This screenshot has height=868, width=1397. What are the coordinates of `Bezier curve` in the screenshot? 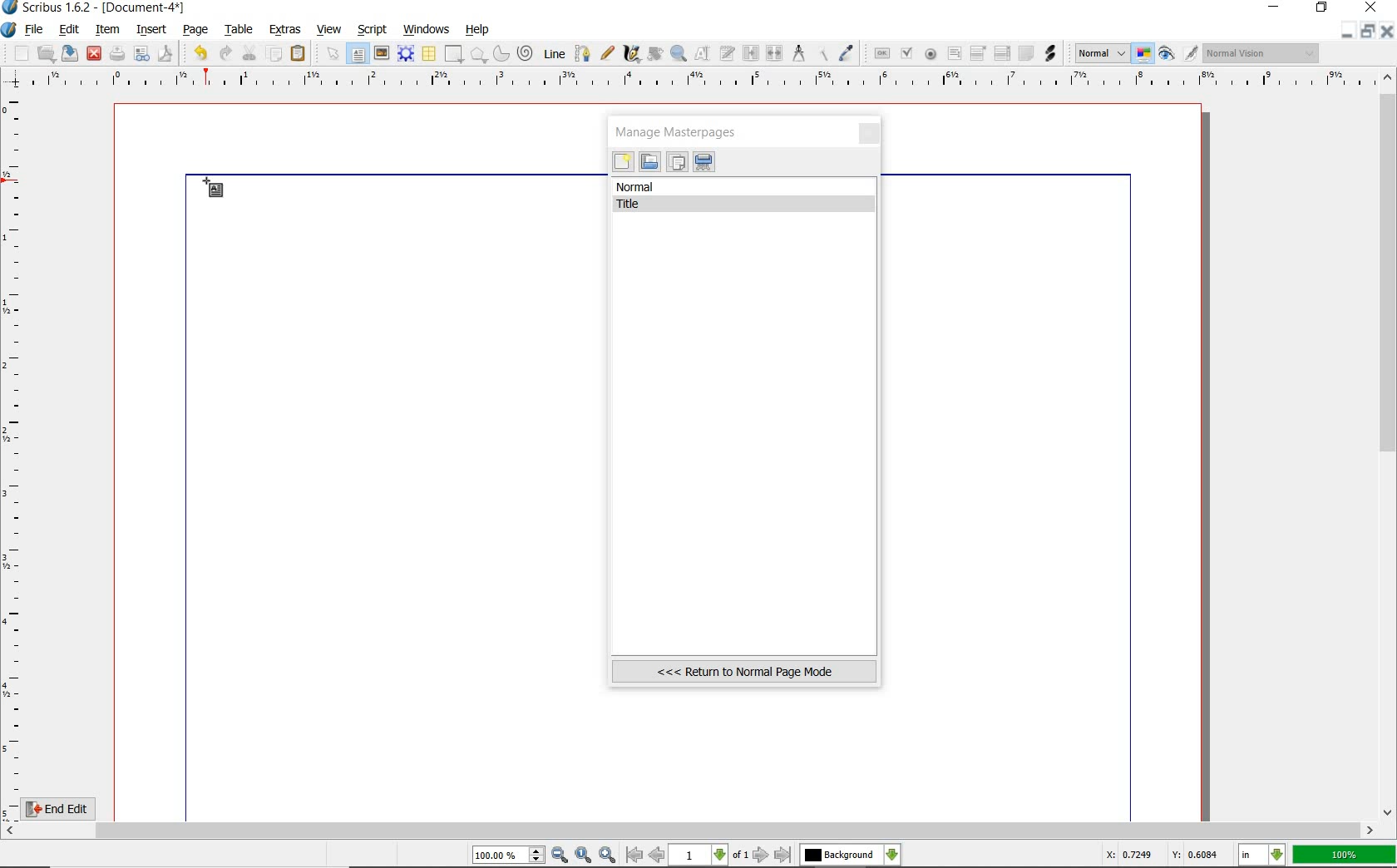 It's located at (580, 53).